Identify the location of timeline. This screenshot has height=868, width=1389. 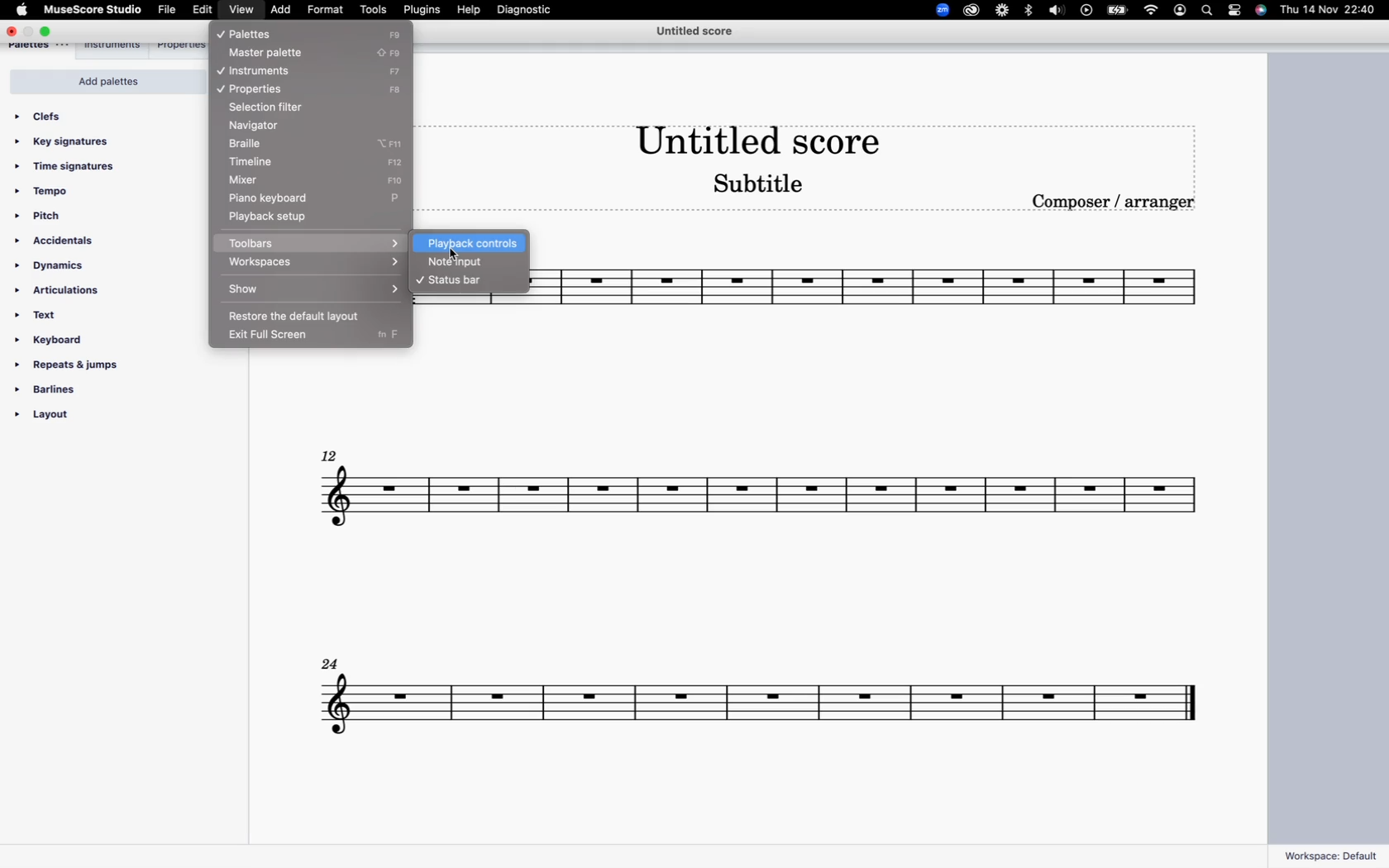
(300, 162).